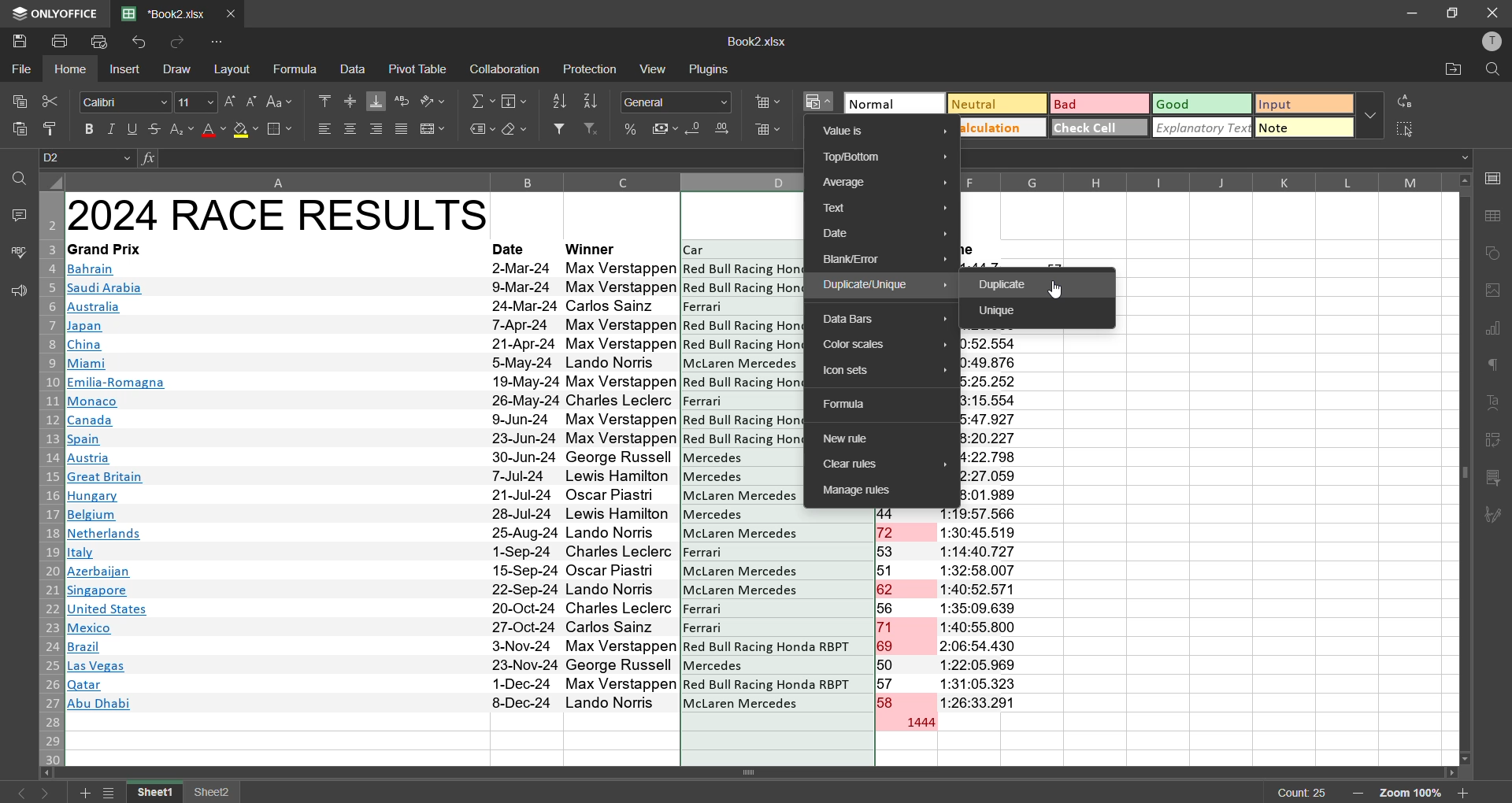 Image resolution: width=1512 pixels, height=803 pixels. What do you see at coordinates (512, 249) in the screenshot?
I see `date` at bounding box center [512, 249].